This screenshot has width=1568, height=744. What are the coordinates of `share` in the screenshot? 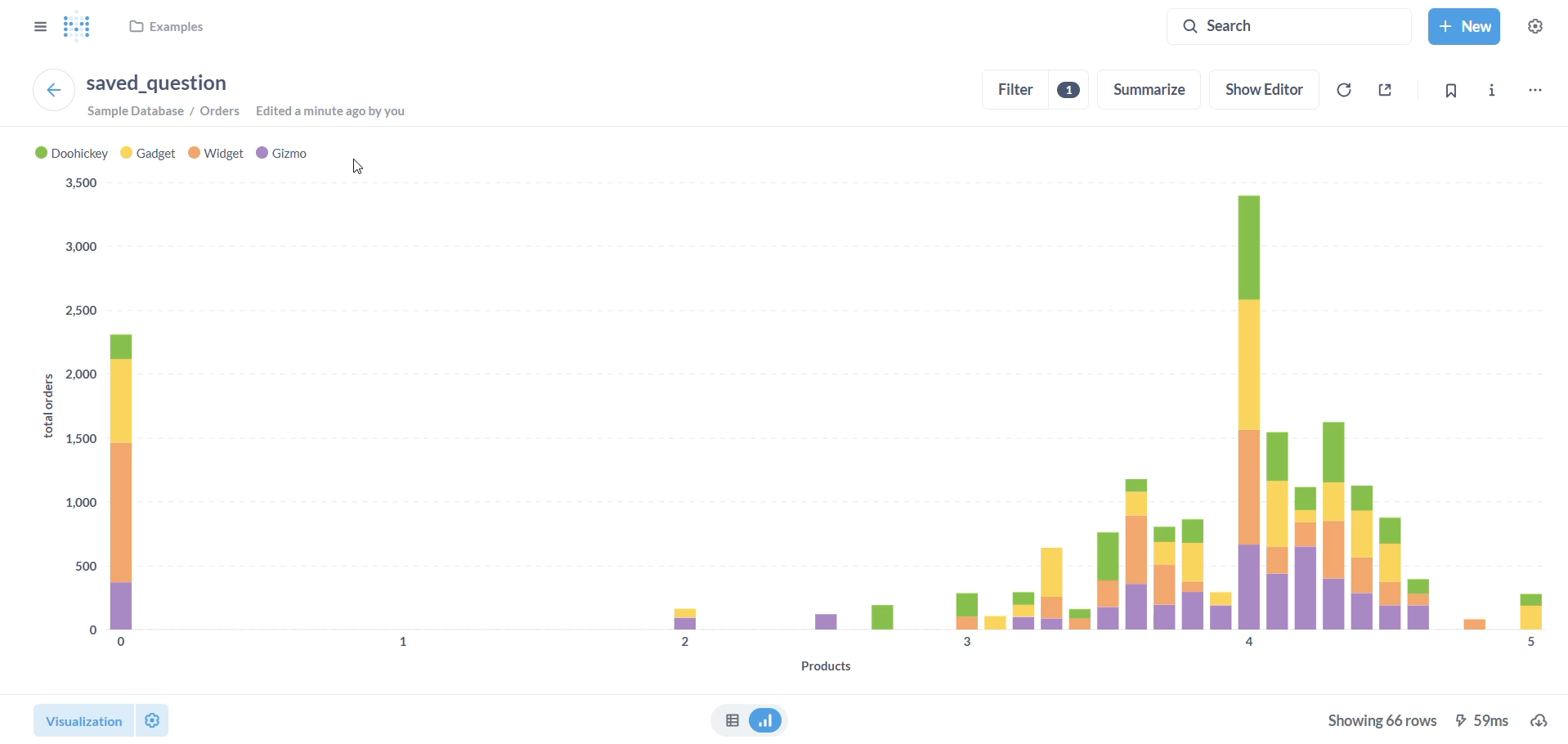 It's located at (1382, 92).